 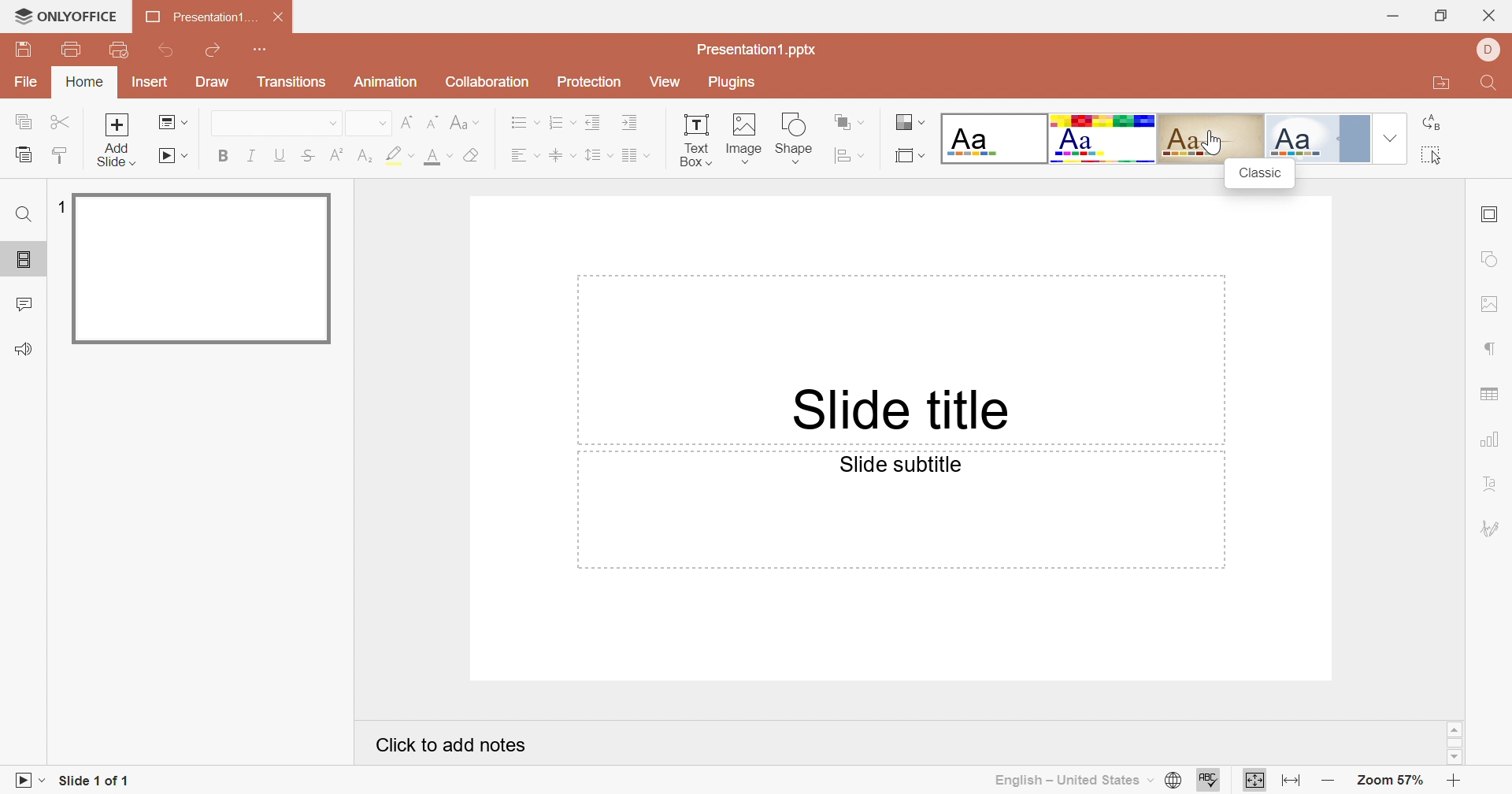 I want to click on Scroll up, so click(x=1456, y=726).